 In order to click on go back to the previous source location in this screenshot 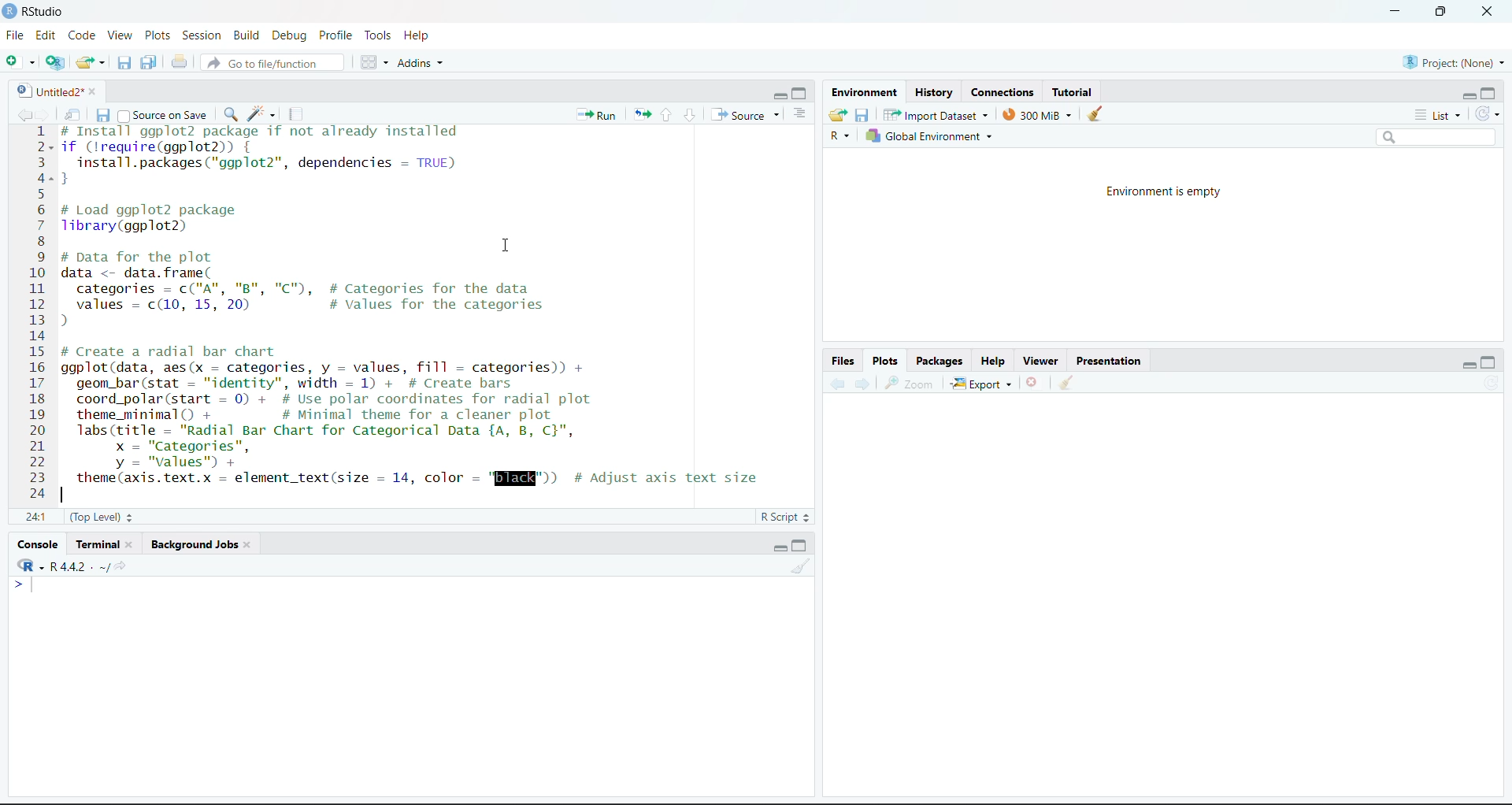, I will do `click(17, 113)`.